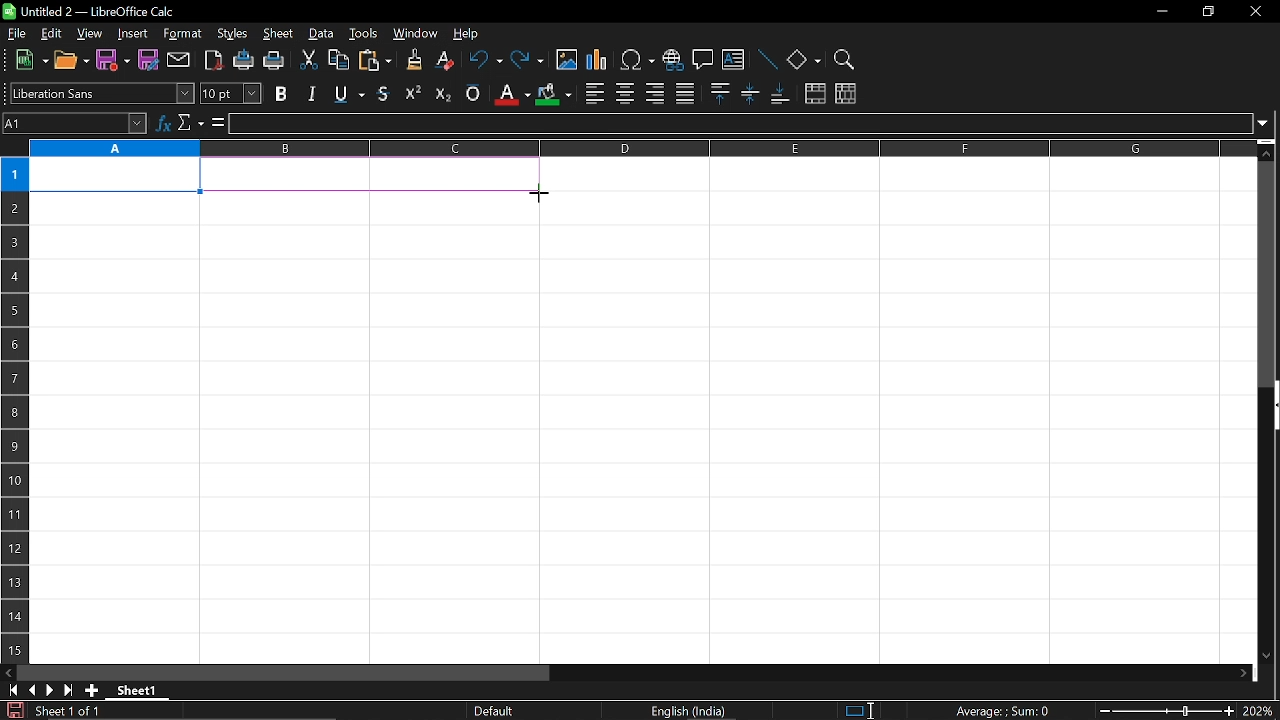  I want to click on justified, so click(685, 92).